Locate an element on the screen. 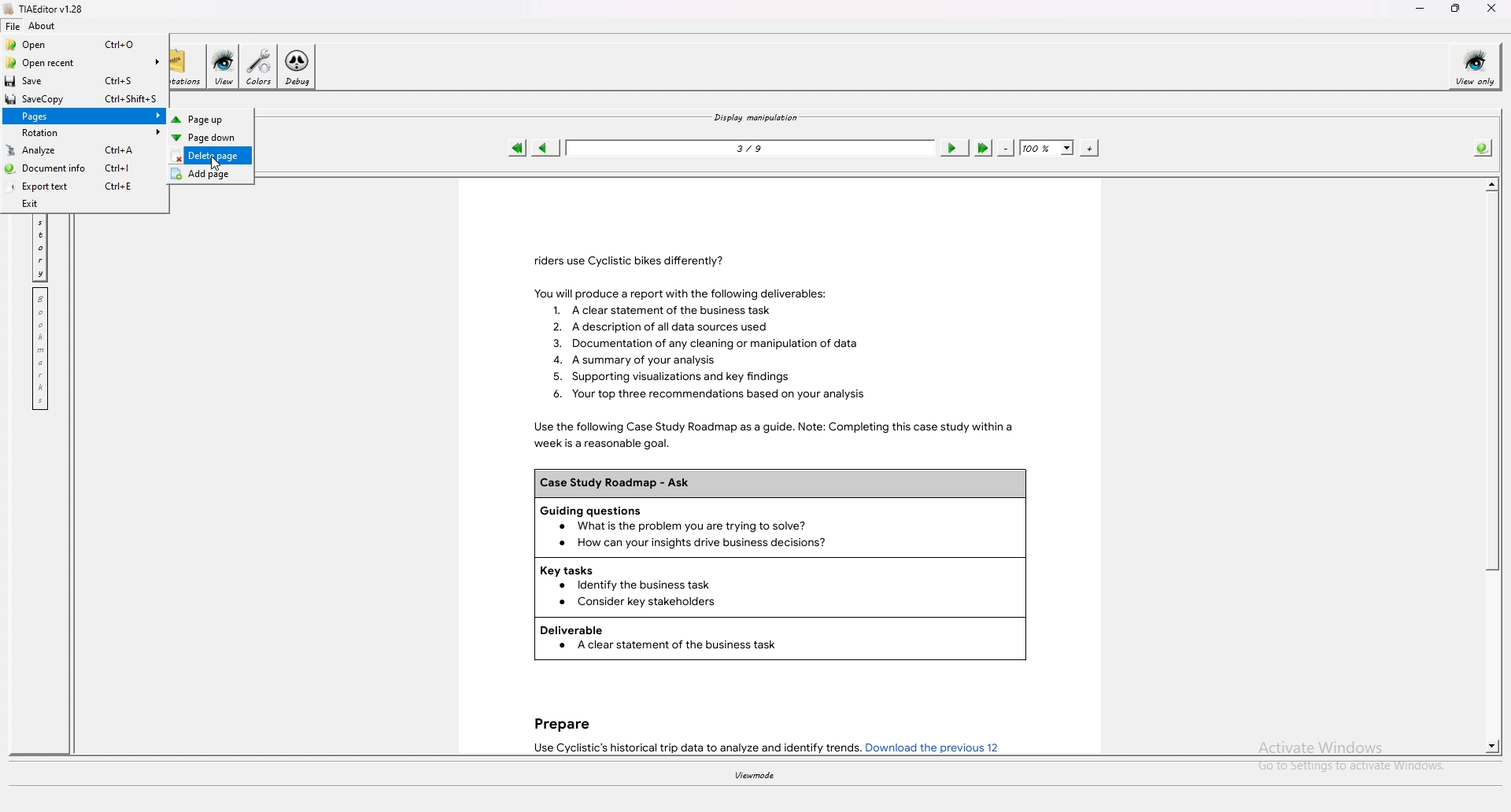  bookmark is located at coordinates (42, 349).